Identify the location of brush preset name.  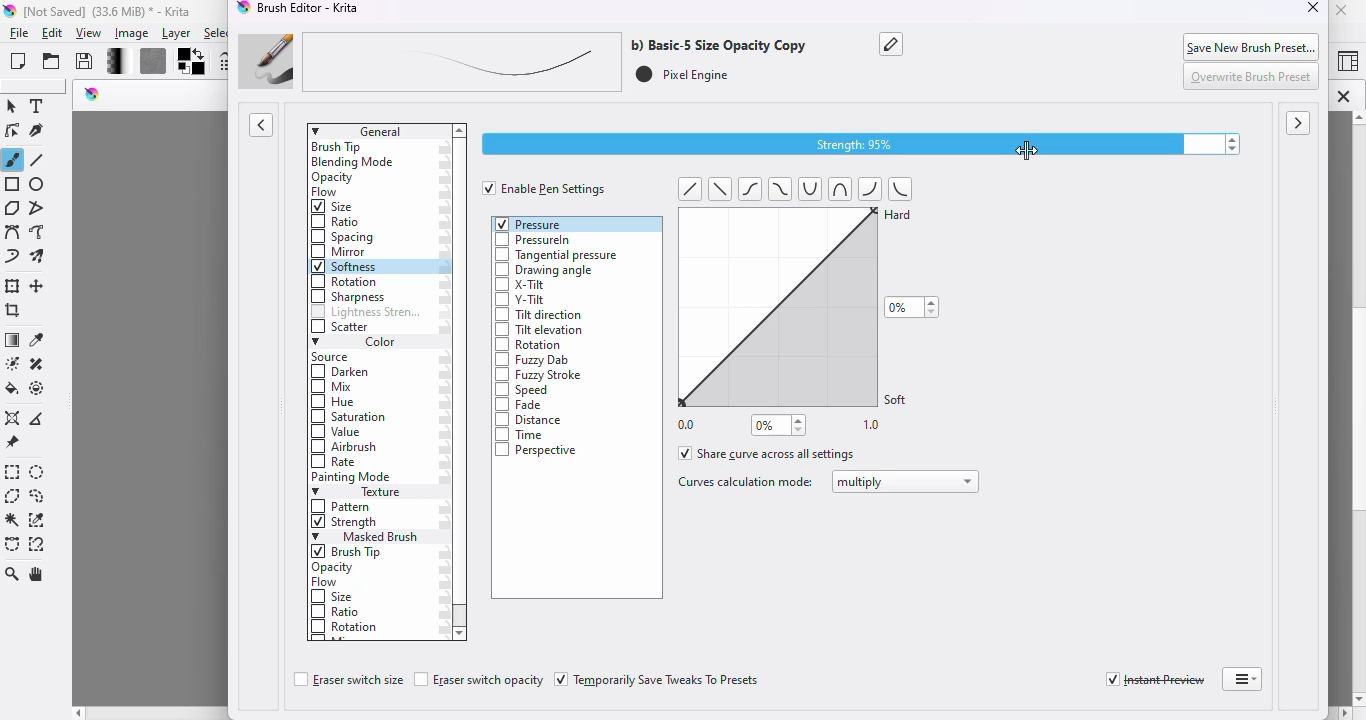
(522, 62).